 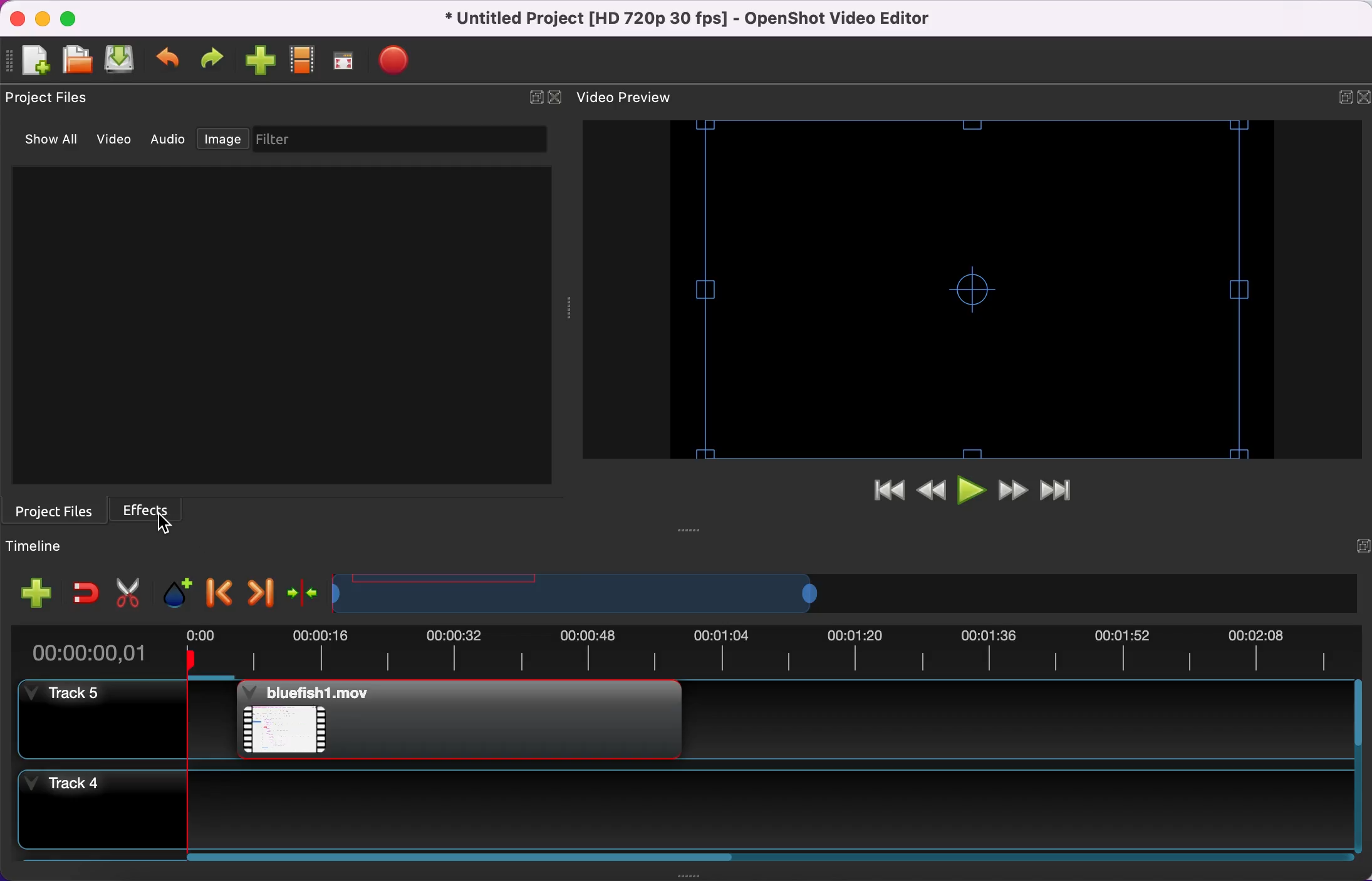 I want to click on next marker, so click(x=257, y=592).